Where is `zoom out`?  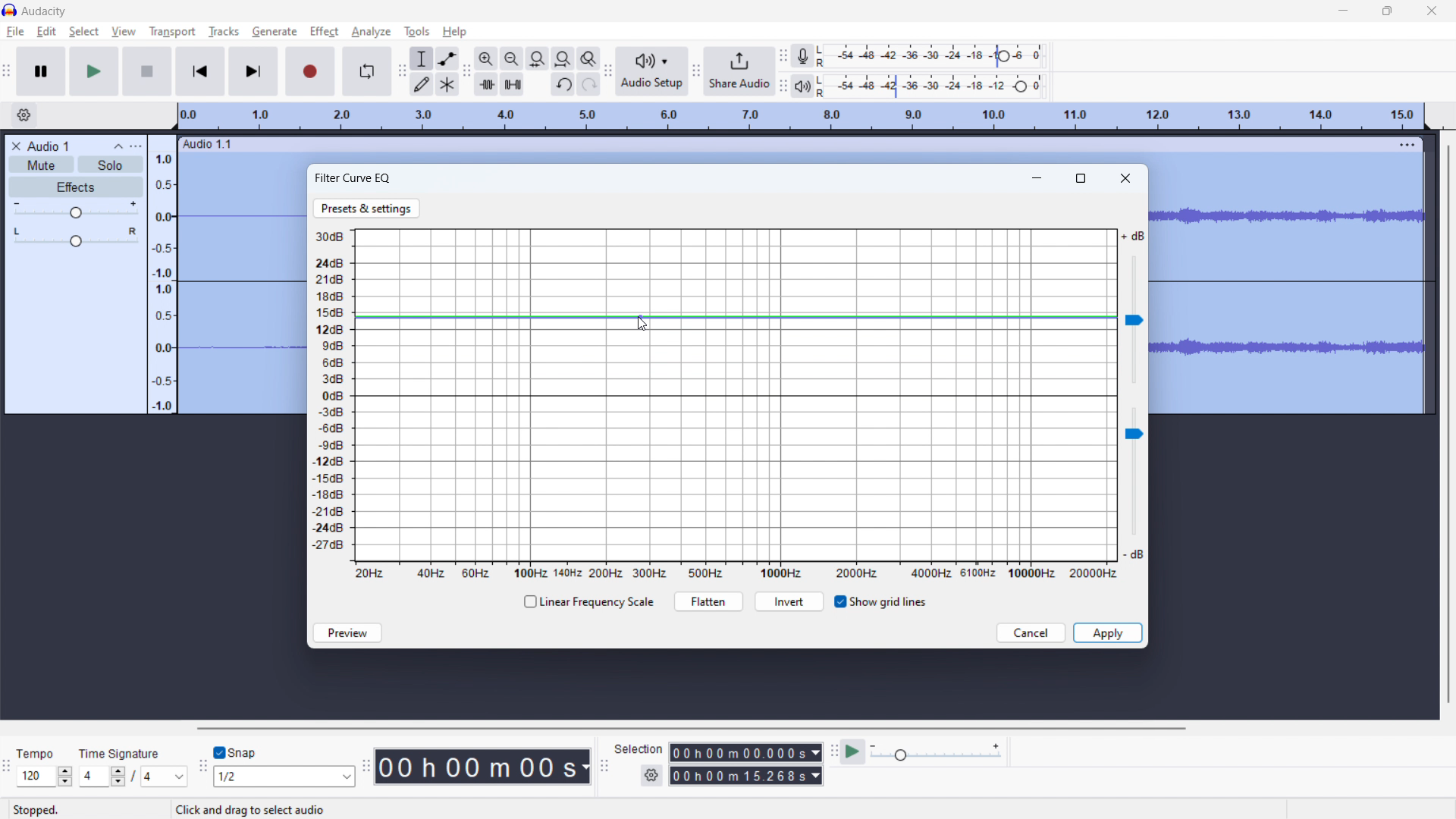 zoom out is located at coordinates (511, 58).